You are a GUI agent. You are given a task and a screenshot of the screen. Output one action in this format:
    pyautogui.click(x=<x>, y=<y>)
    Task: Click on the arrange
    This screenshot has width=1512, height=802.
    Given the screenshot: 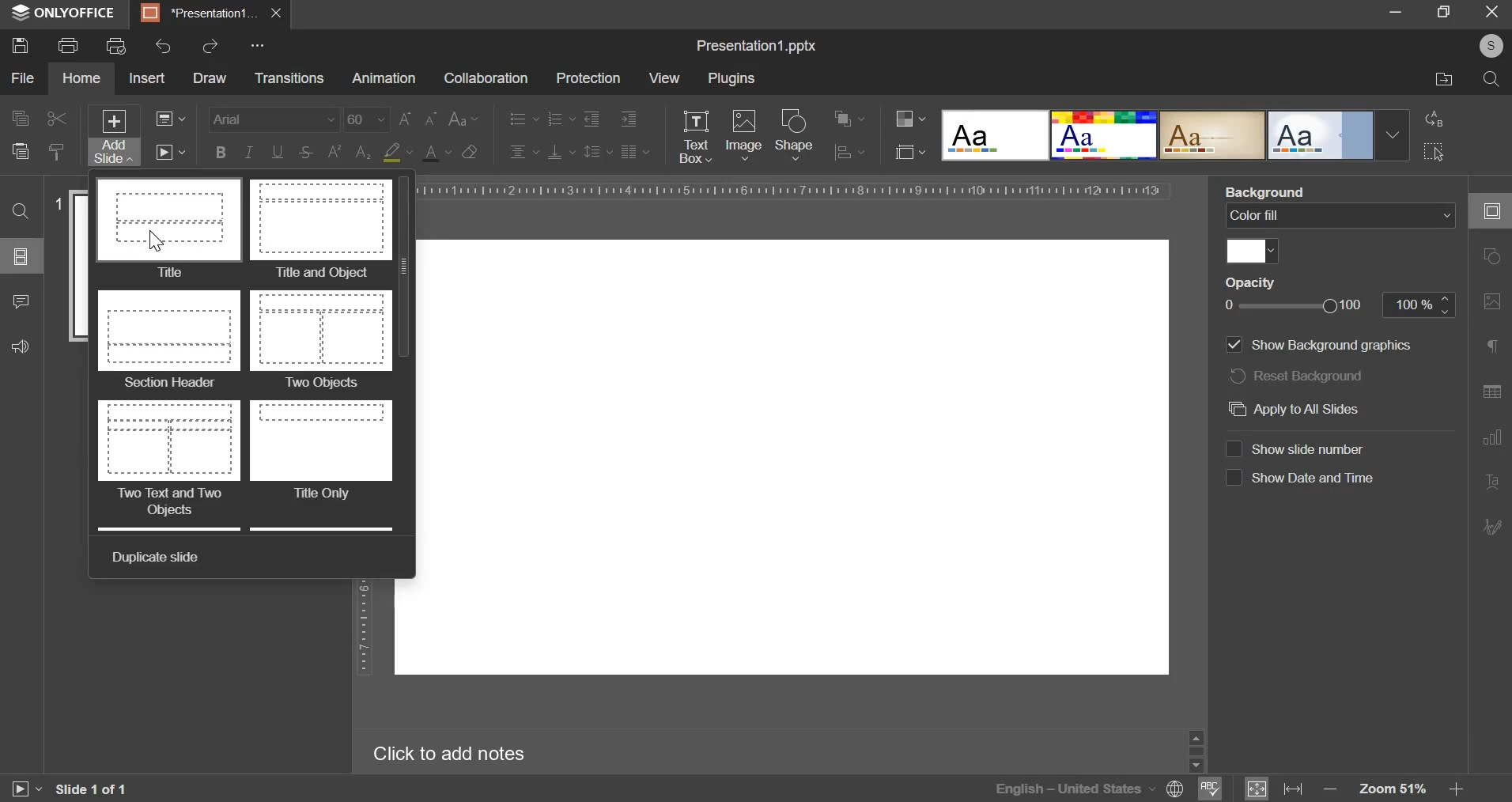 What is the action you would take?
    pyautogui.click(x=849, y=119)
    